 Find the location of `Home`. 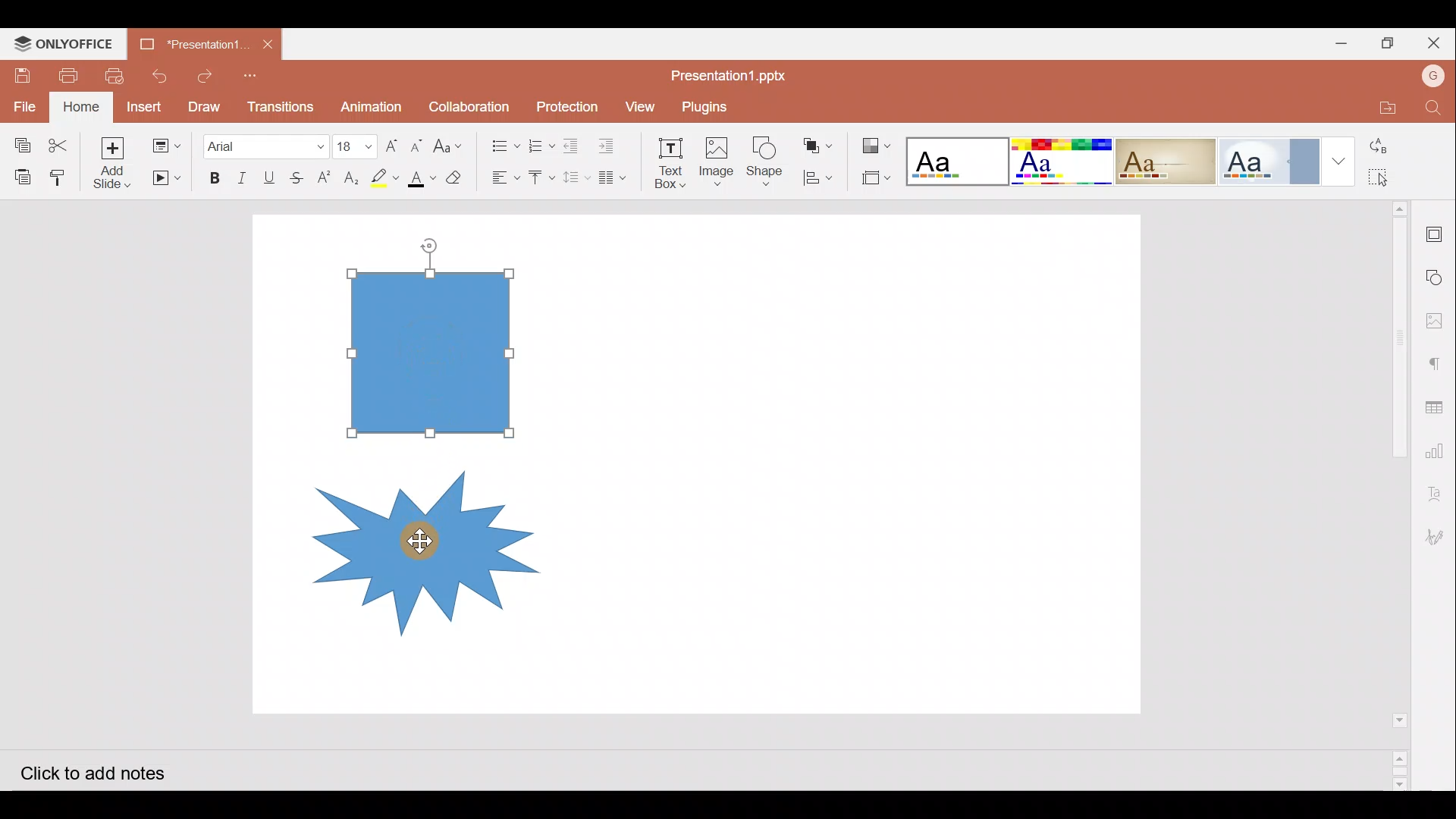

Home is located at coordinates (81, 107).